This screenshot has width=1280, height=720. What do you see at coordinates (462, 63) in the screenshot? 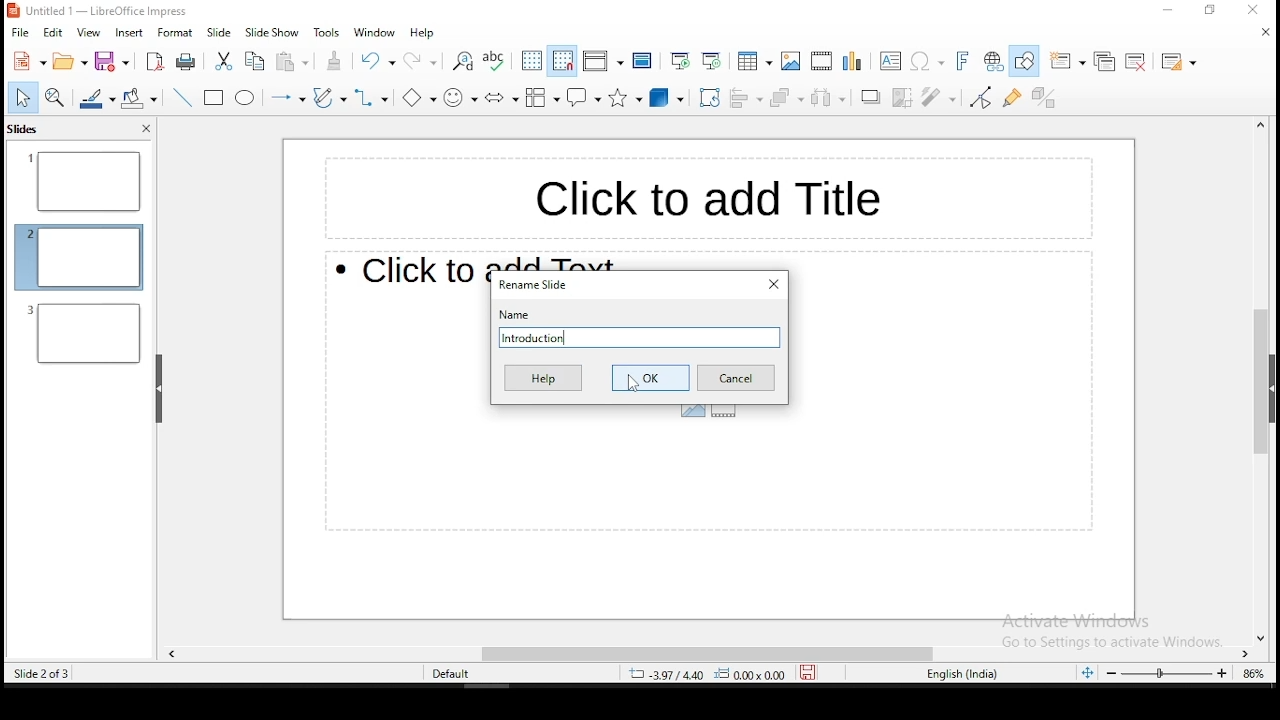
I see `find and replace` at bounding box center [462, 63].